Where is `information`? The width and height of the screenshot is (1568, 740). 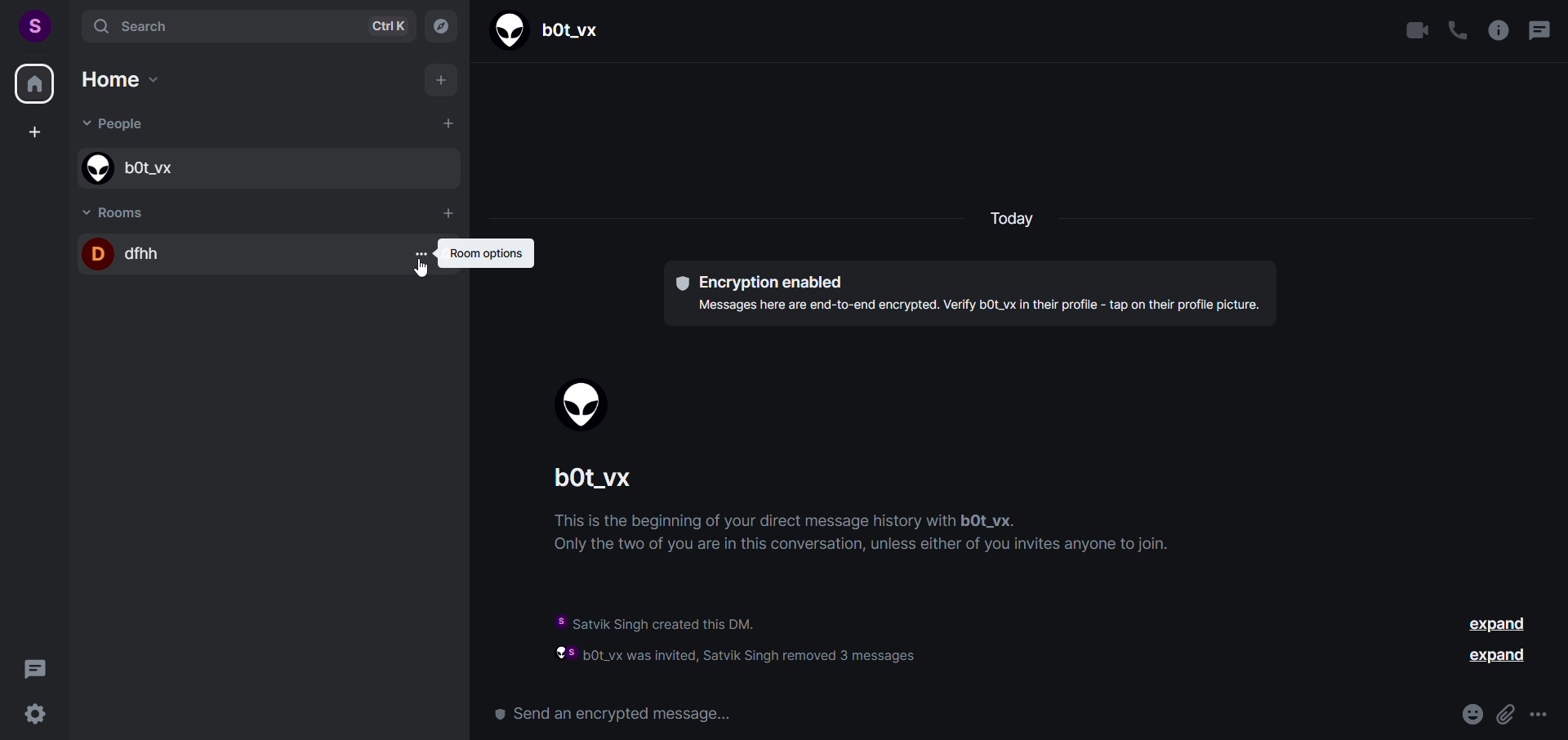
information is located at coordinates (773, 635).